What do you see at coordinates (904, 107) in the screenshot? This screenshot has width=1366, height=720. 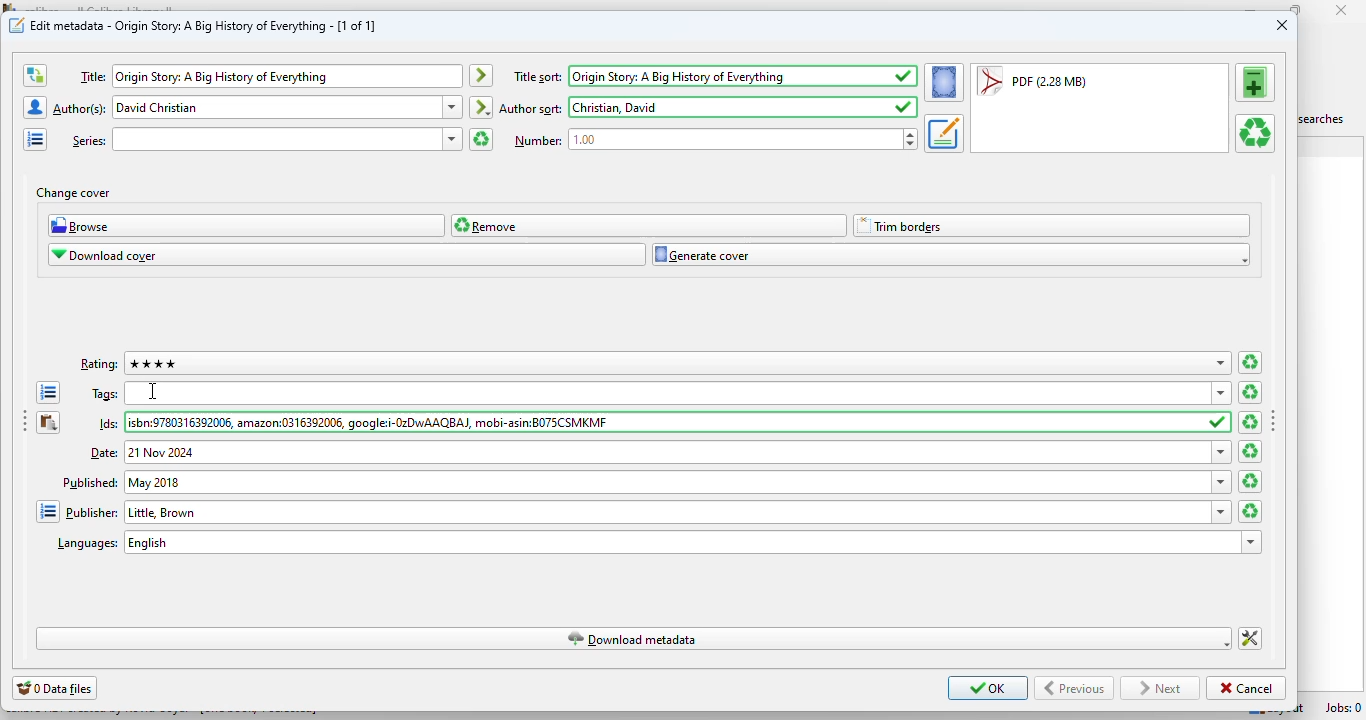 I see `saved` at bounding box center [904, 107].